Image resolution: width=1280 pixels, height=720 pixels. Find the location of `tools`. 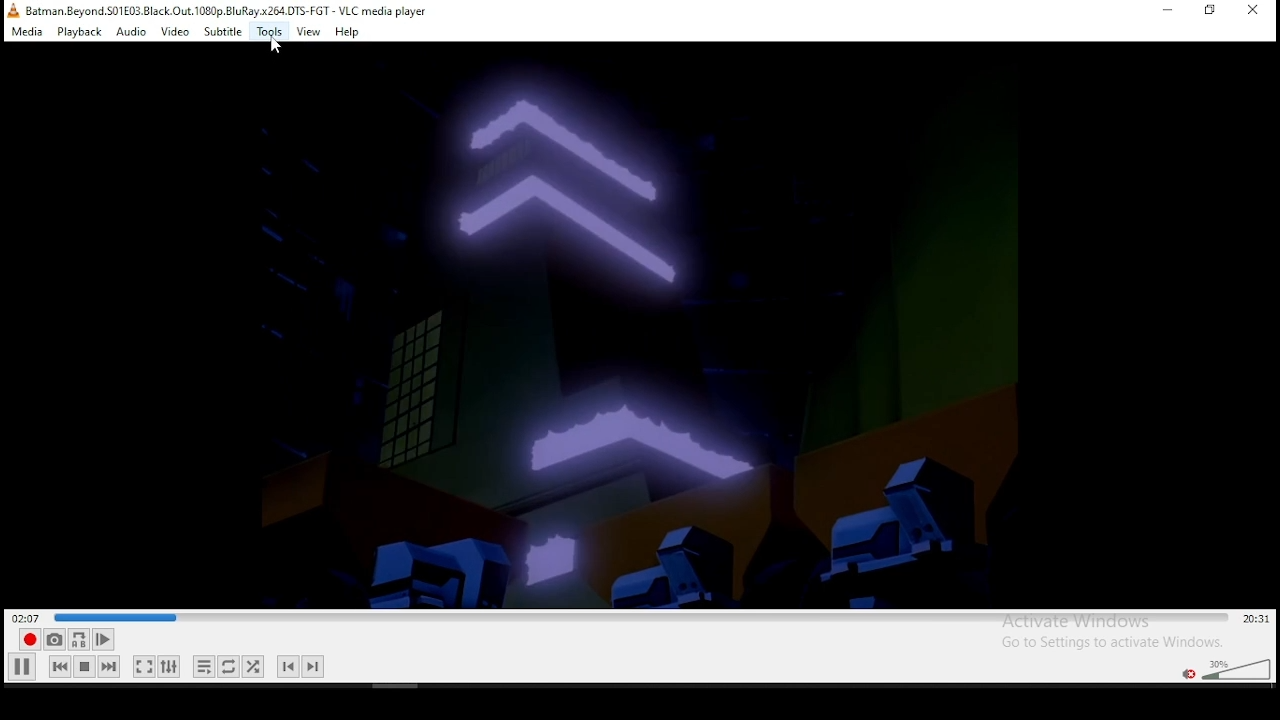

tools is located at coordinates (270, 33).